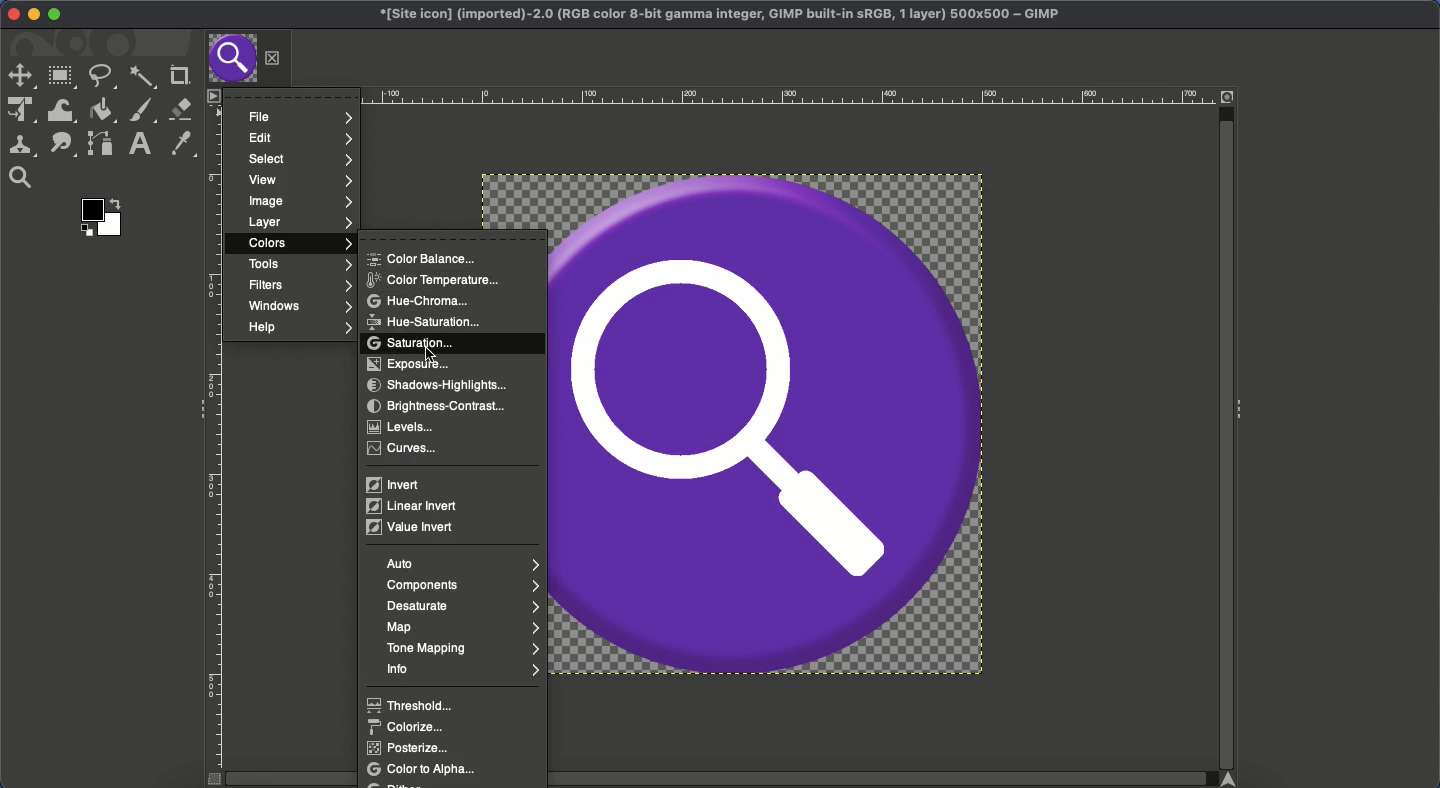 This screenshot has height=788, width=1440. What do you see at coordinates (298, 181) in the screenshot?
I see `View` at bounding box center [298, 181].